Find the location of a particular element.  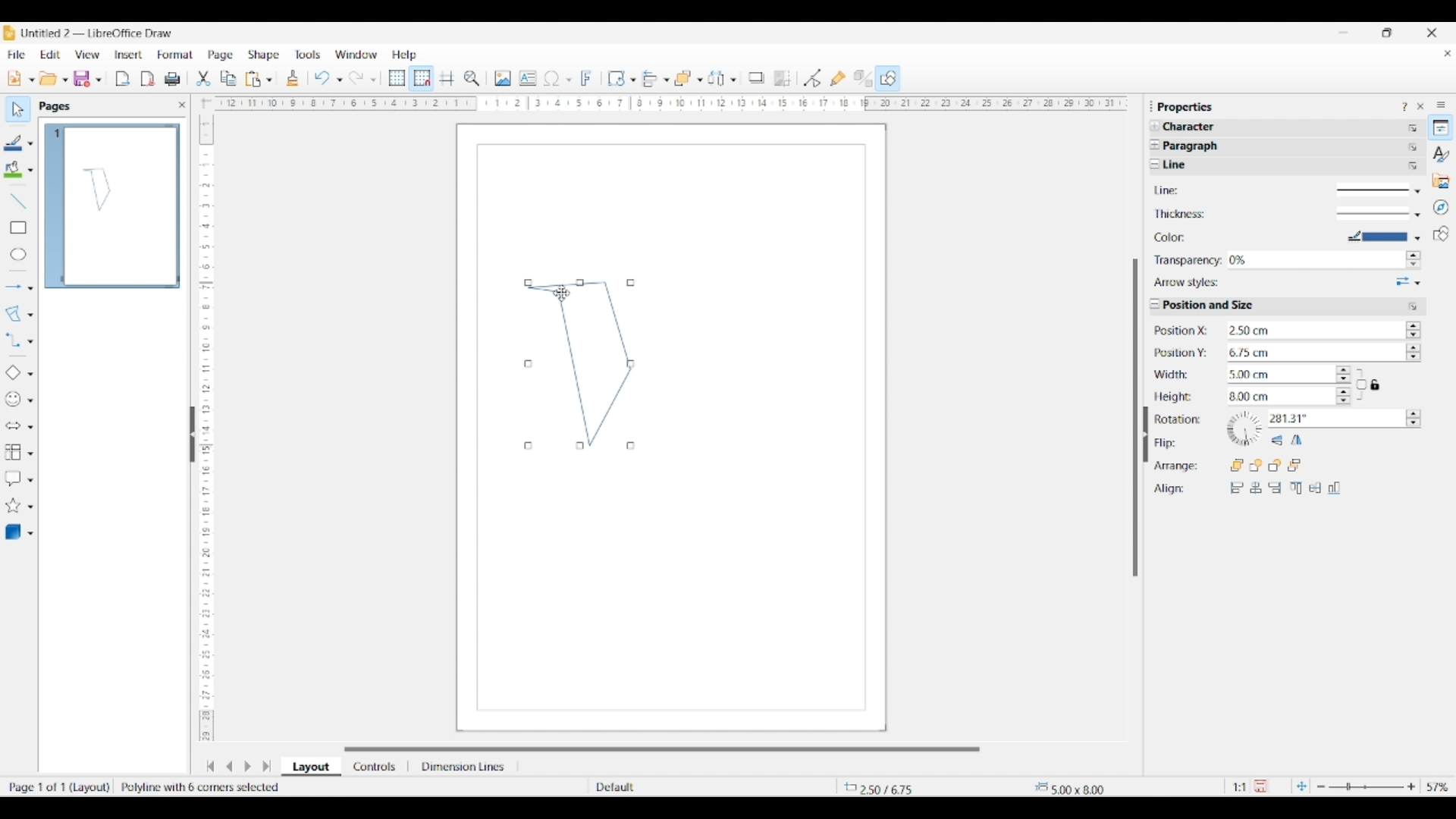

Slider to change zoom in/out is located at coordinates (1366, 786).